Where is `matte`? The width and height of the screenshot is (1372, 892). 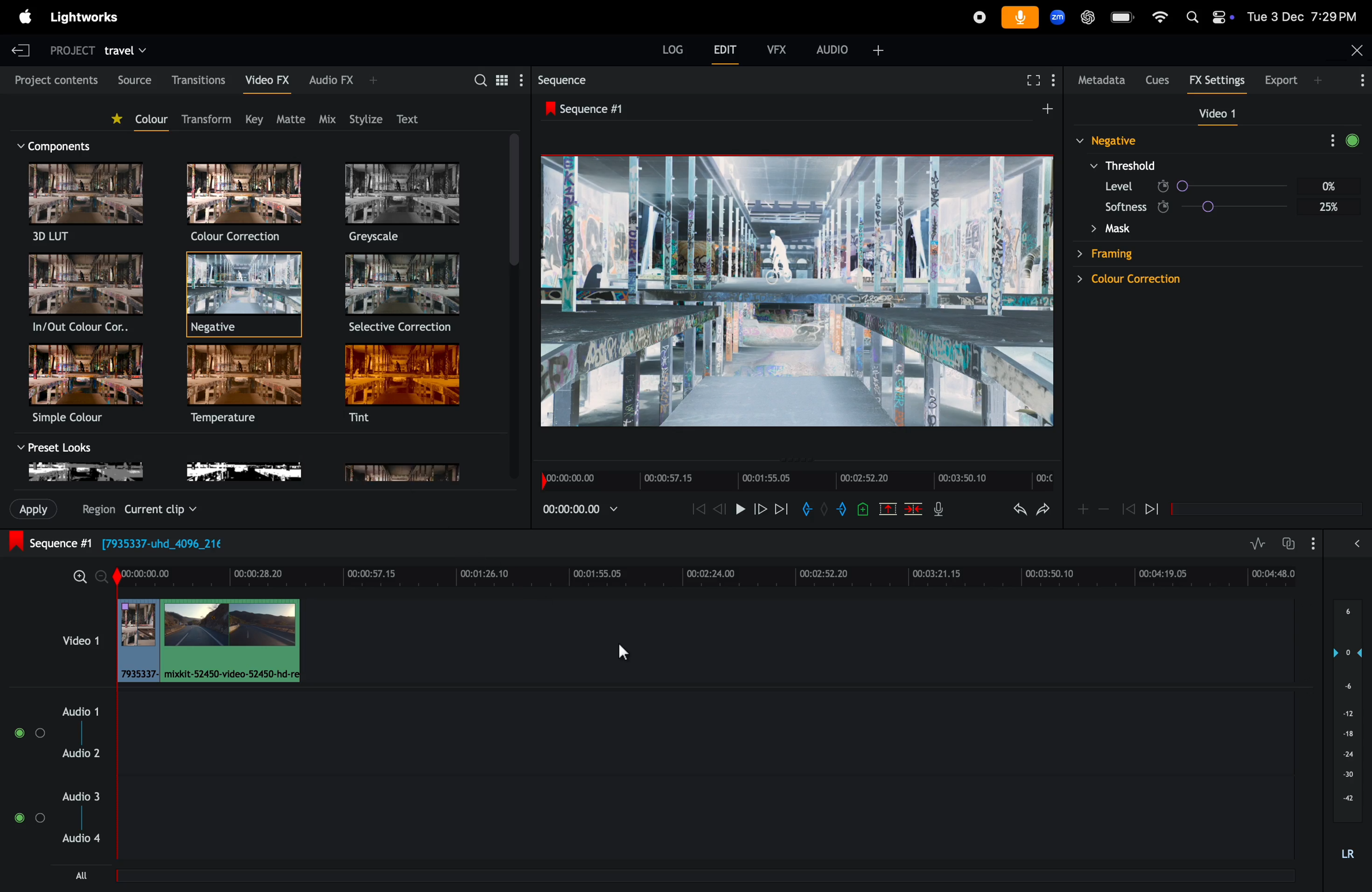 matte is located at coordinates (293, 119).